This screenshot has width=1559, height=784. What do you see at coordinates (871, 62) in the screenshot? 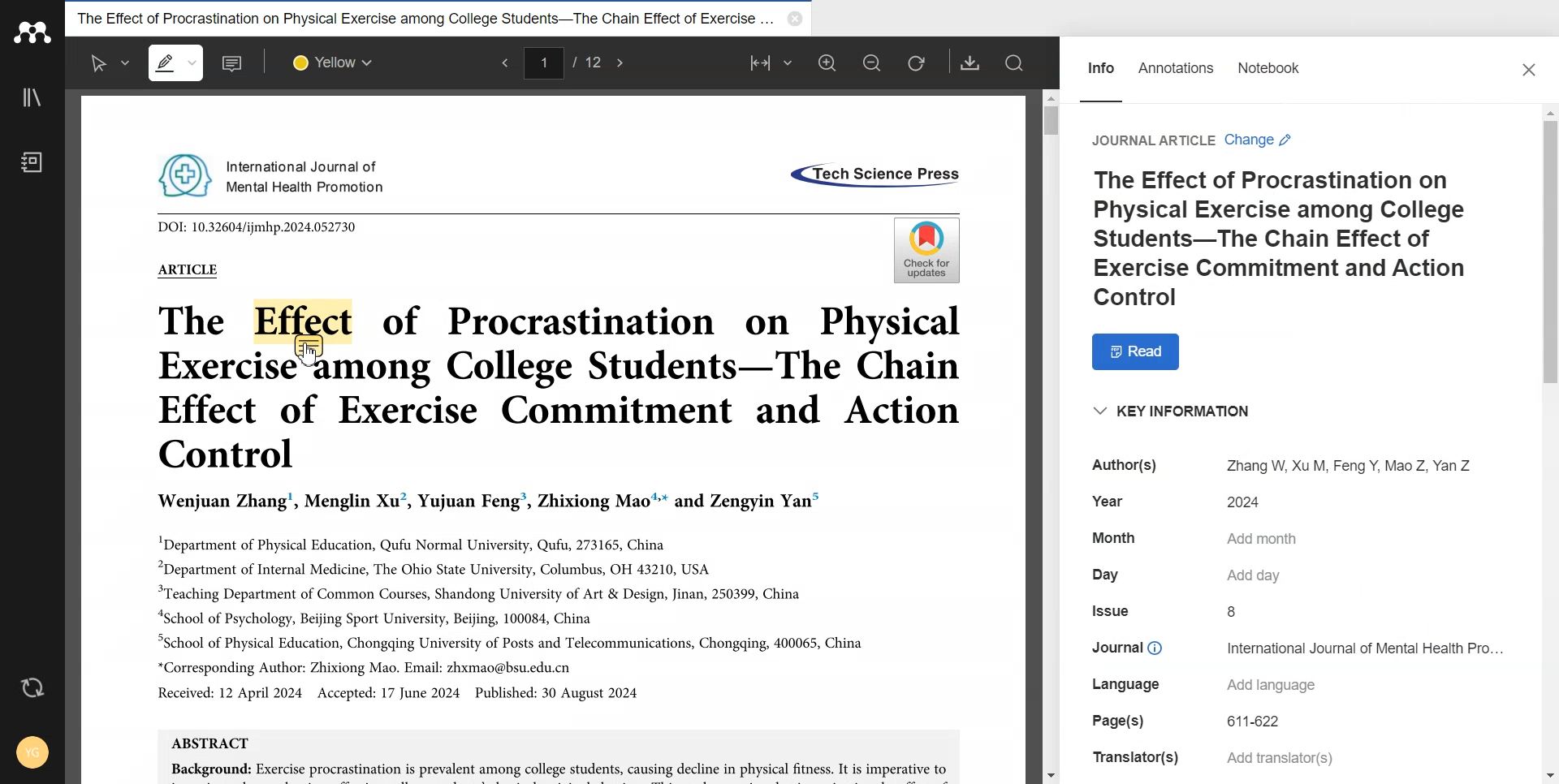
I see `Zoom out` at bounding box center [871, 62].